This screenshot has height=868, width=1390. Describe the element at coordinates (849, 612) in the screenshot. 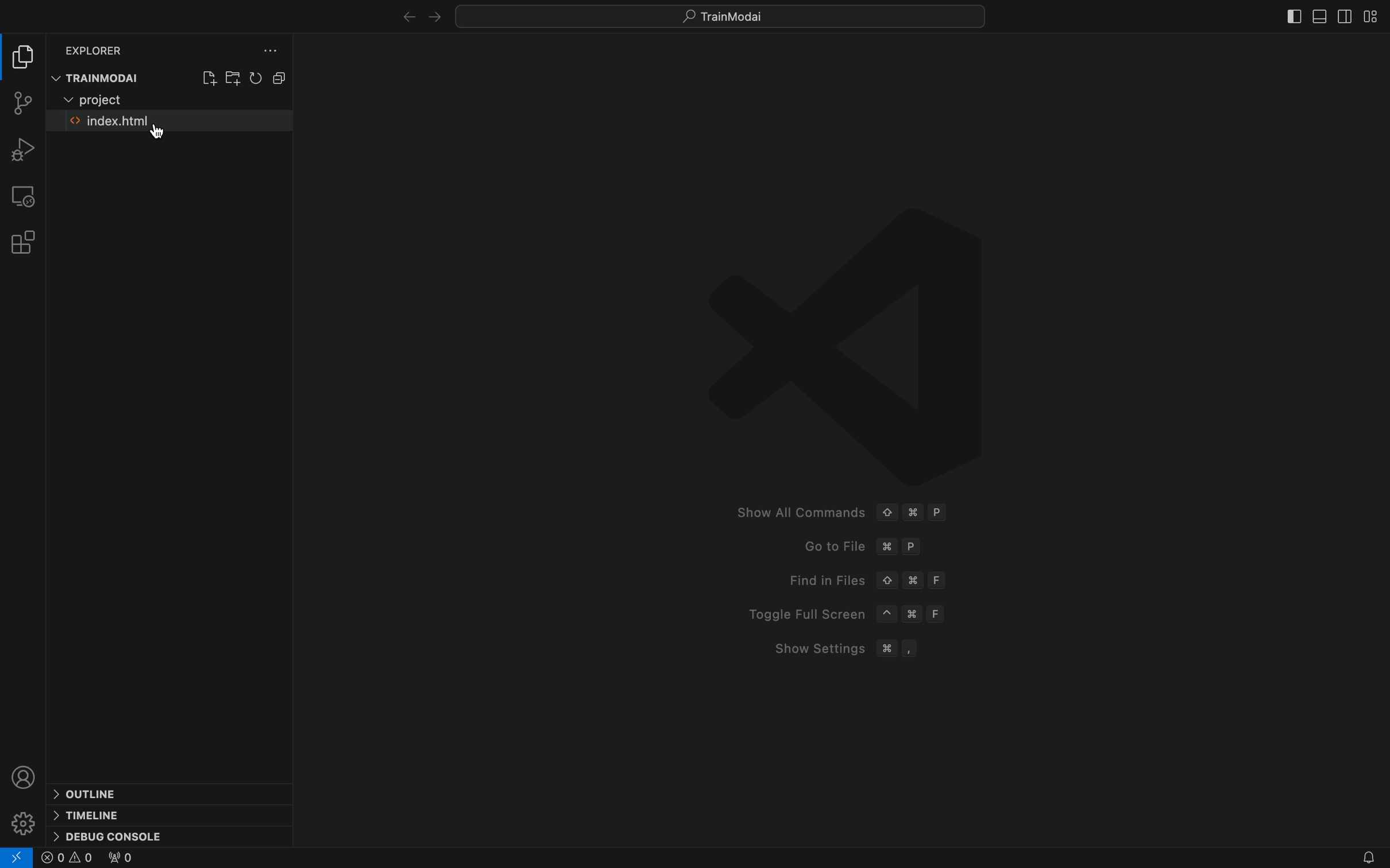

I see `Toggle` at that location.